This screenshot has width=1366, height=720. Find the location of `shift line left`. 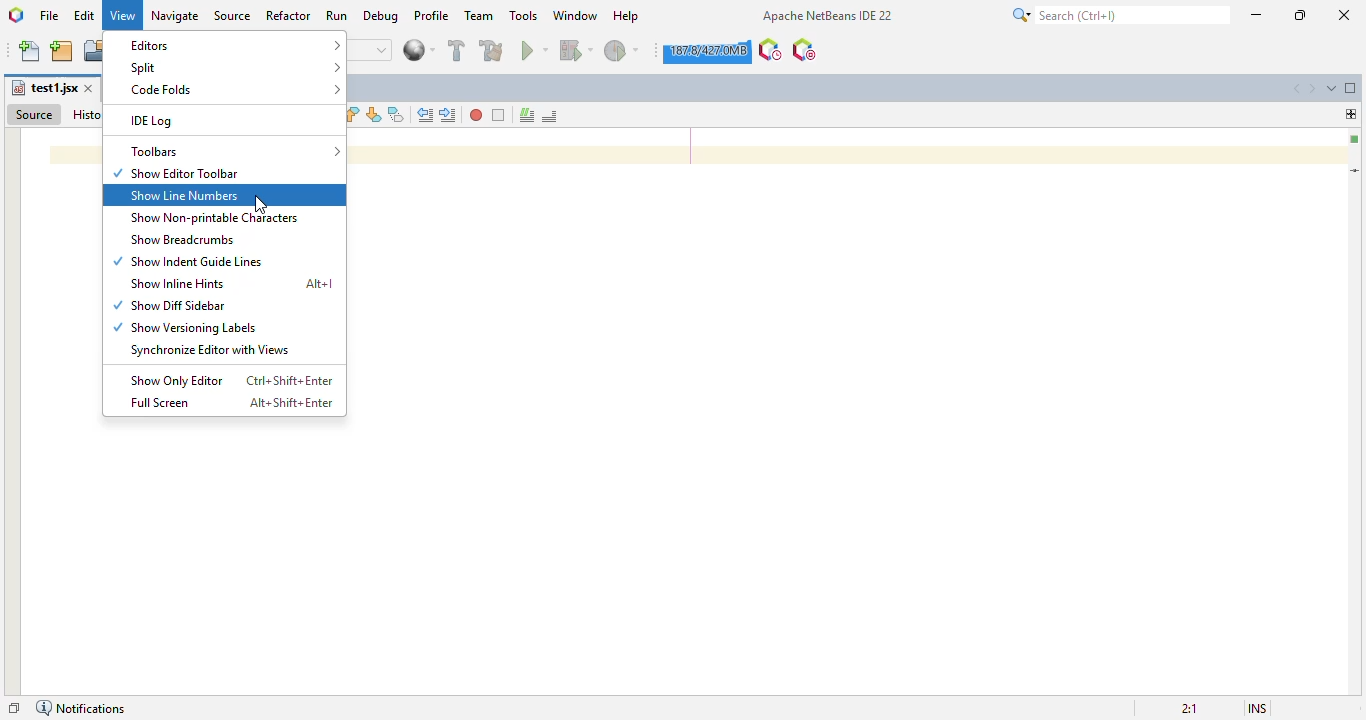

shift line left is located at coordinates (425, 115).